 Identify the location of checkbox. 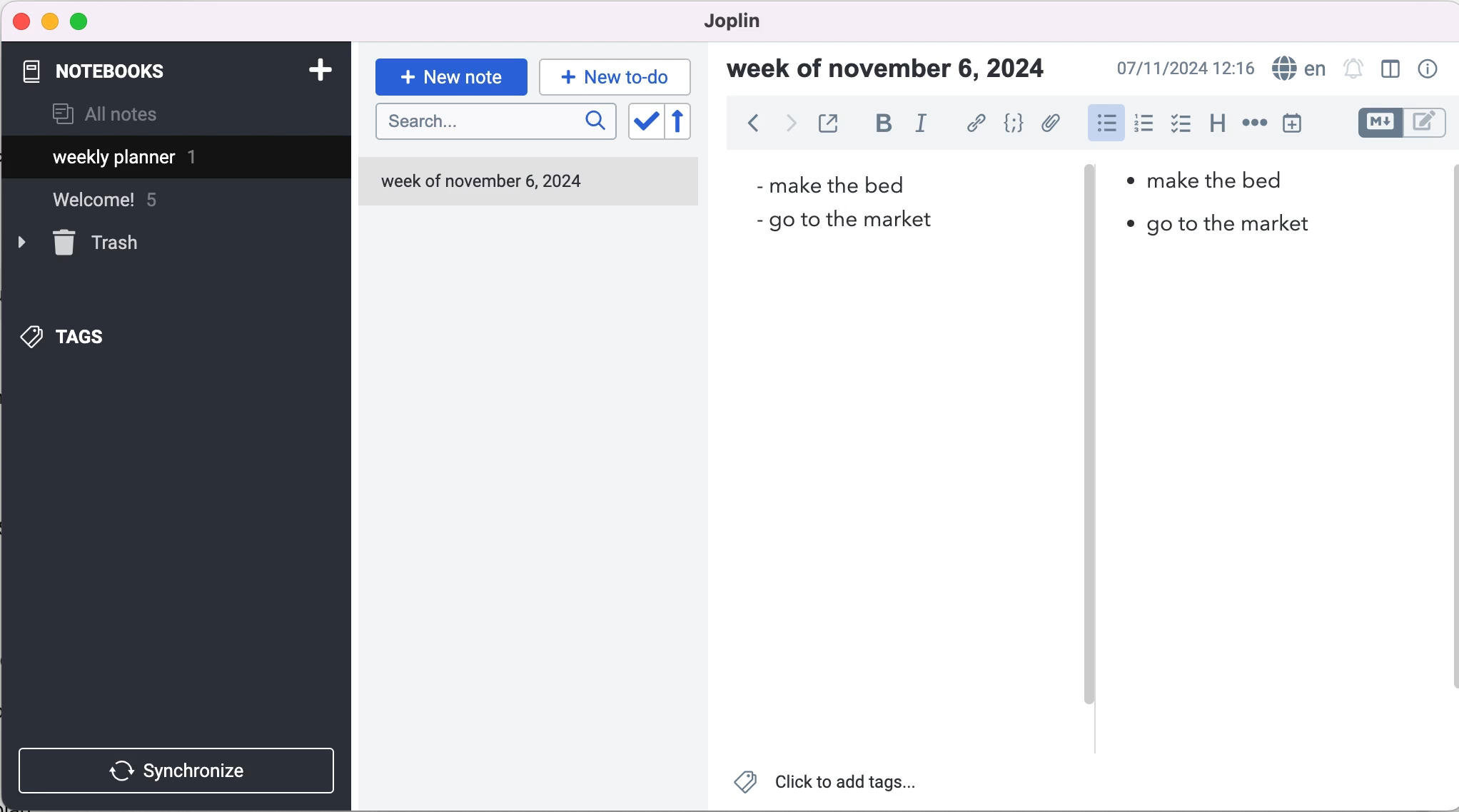
(1181, 124).